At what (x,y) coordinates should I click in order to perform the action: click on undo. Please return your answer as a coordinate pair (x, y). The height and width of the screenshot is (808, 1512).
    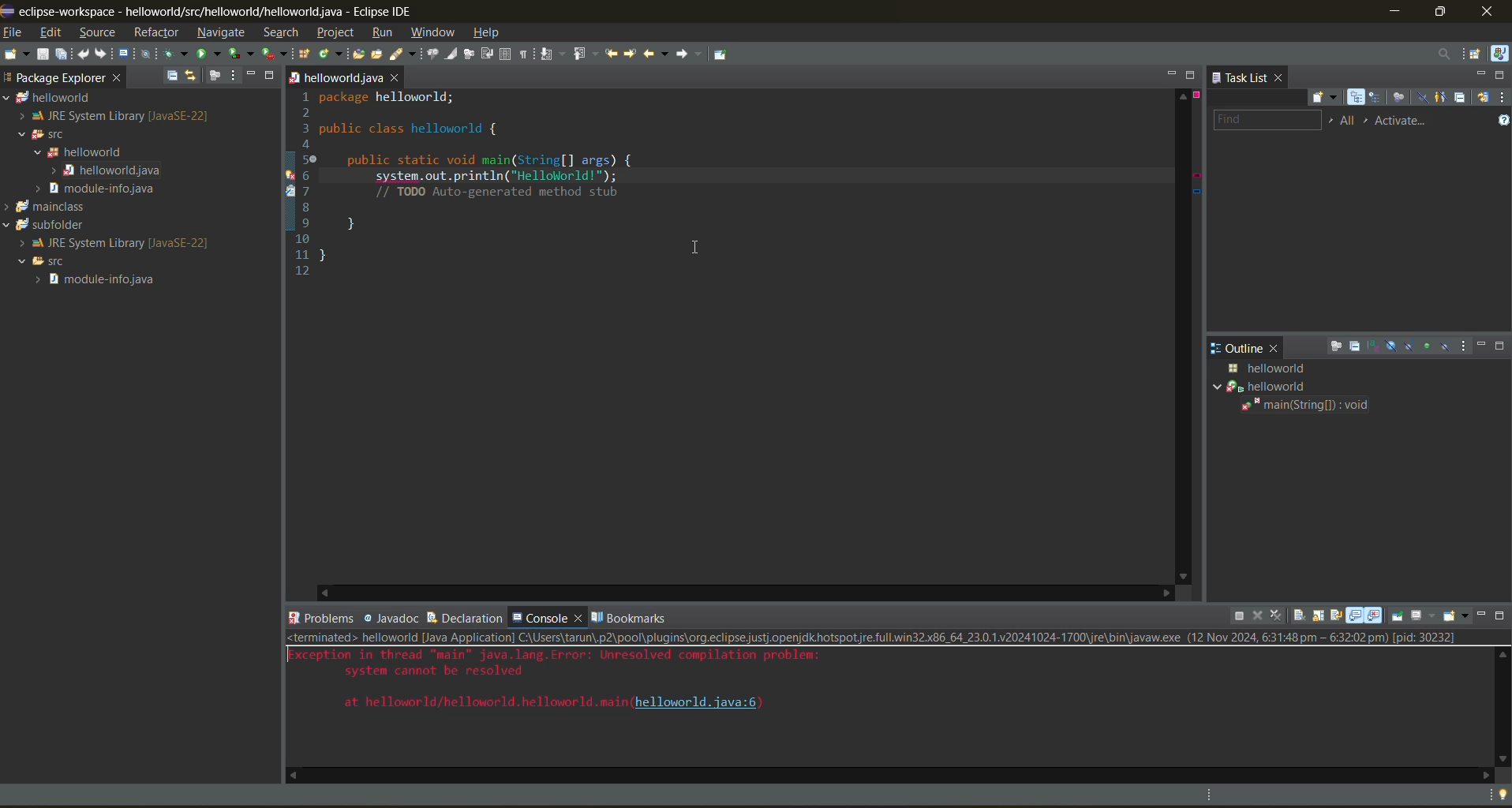
    Looking at the image, I should click on (82, 56).